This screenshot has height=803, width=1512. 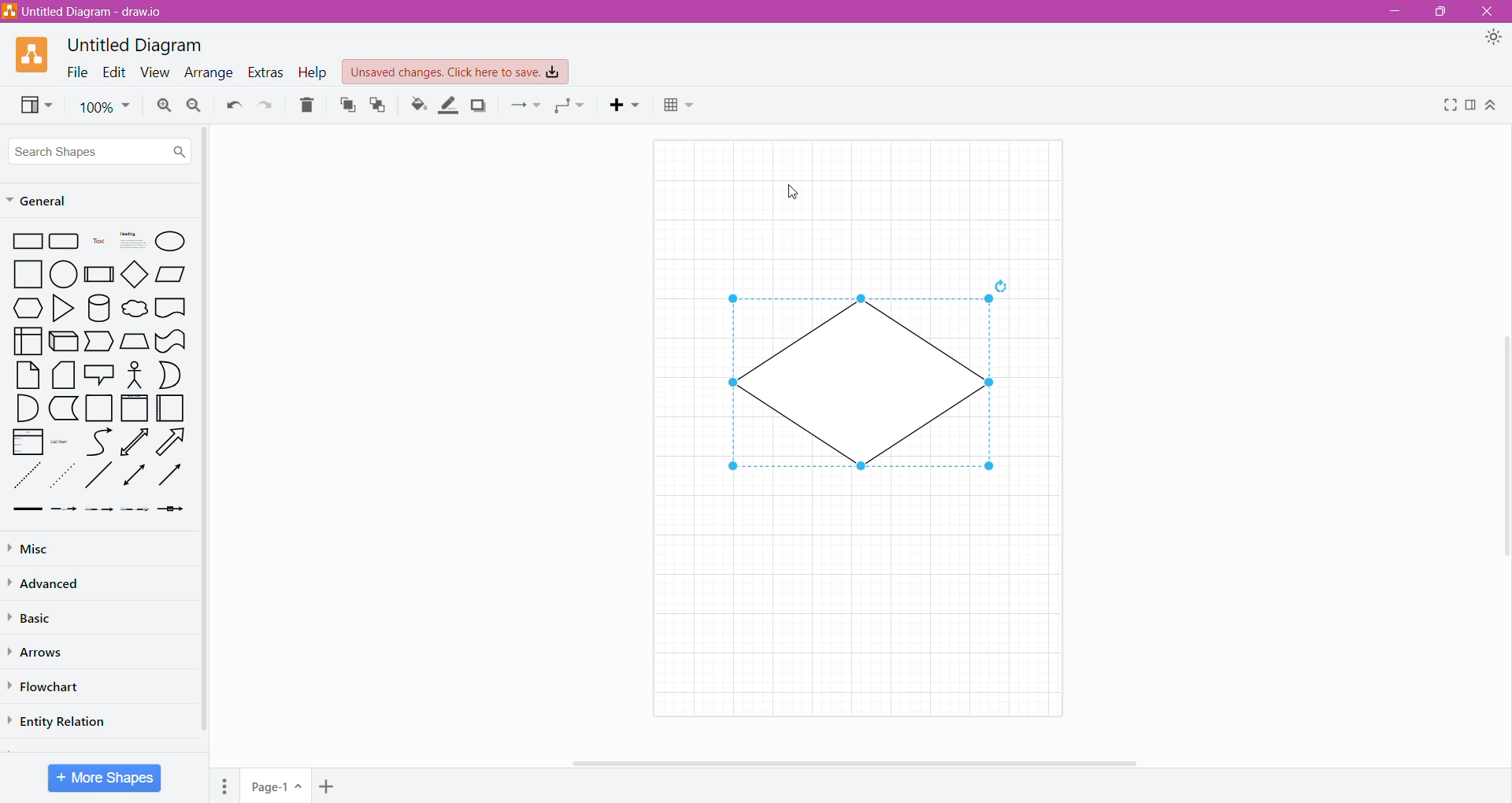 I want to click on Zoom 100%, so click(x=105, y=107).